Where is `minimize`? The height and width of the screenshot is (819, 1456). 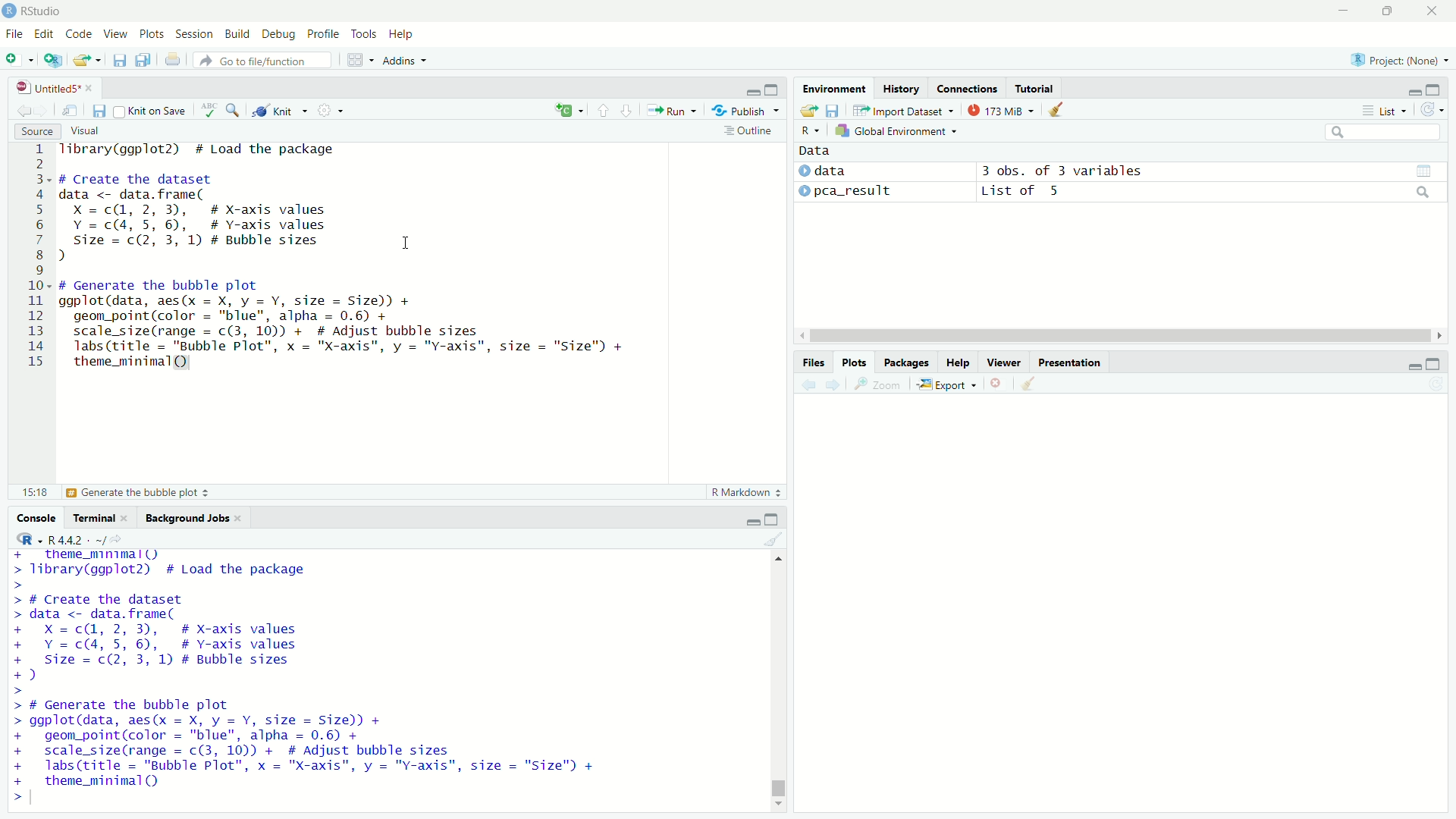 minimize is located at coordinates (1342, 11).